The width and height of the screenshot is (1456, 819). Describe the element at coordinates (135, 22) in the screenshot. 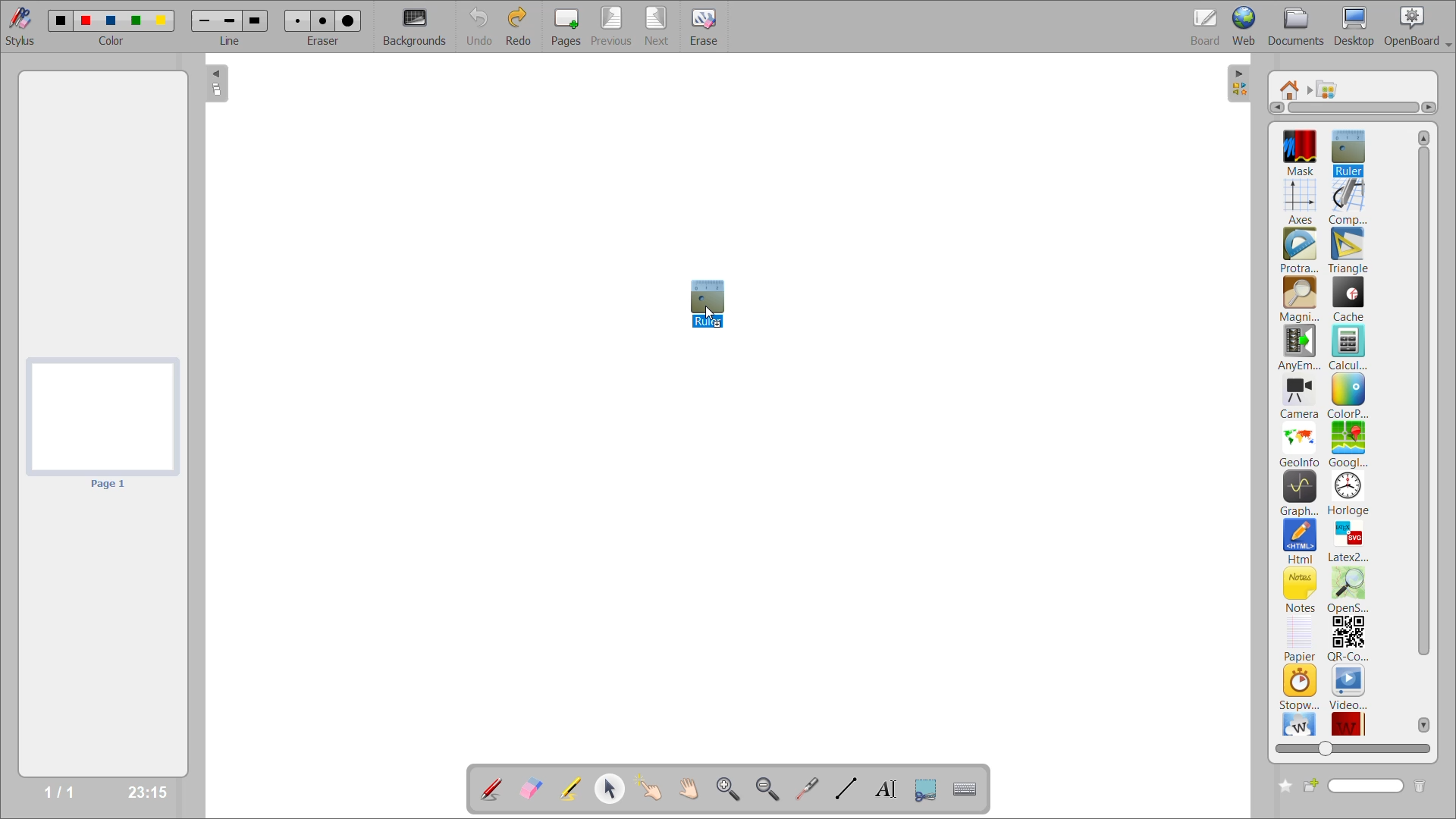

I see `color 4` at that location.